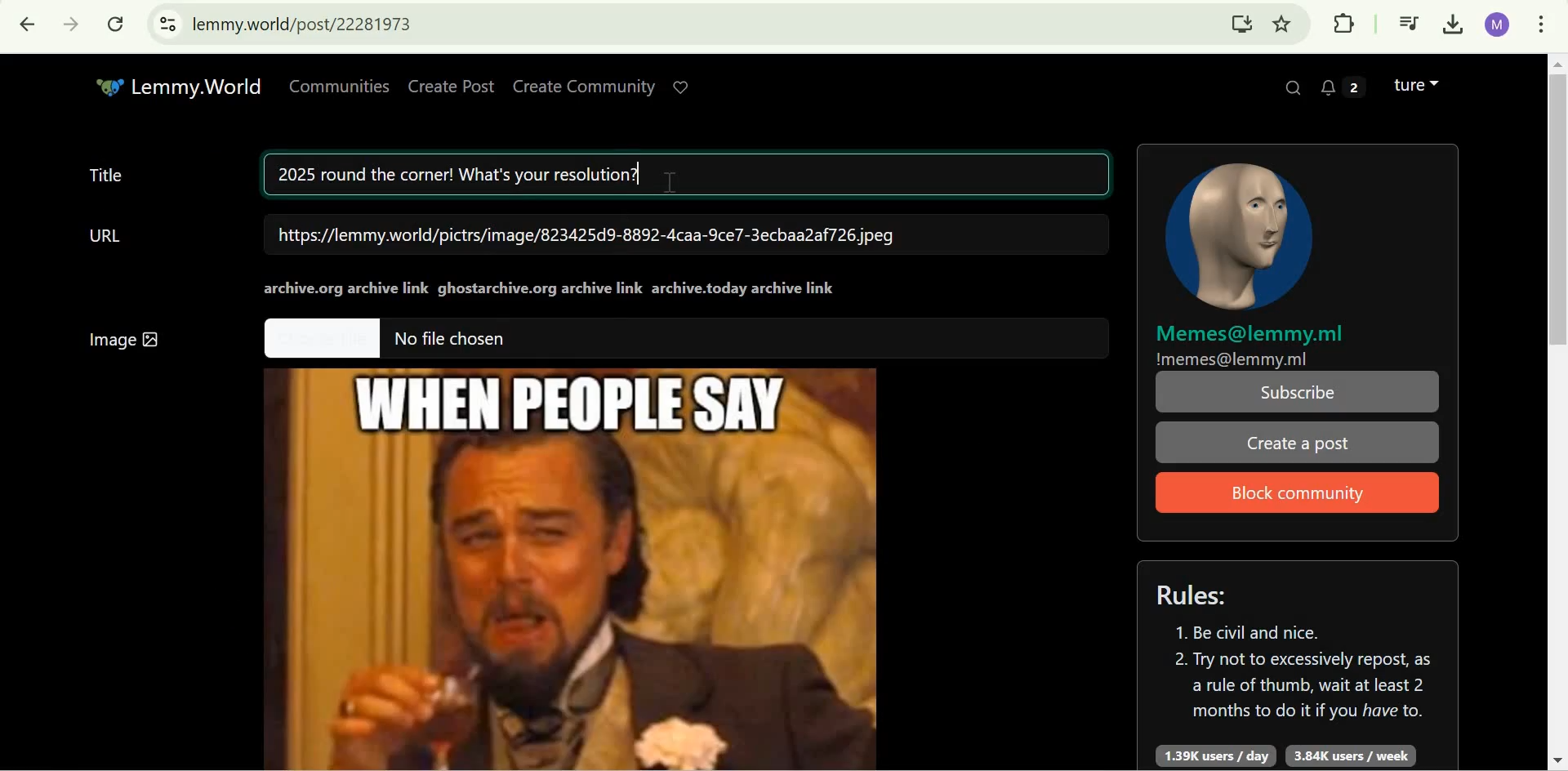  What do you see at coordinates (167, 25) in the screenshot?
I see `View site information` at bounding box center [167, 25].